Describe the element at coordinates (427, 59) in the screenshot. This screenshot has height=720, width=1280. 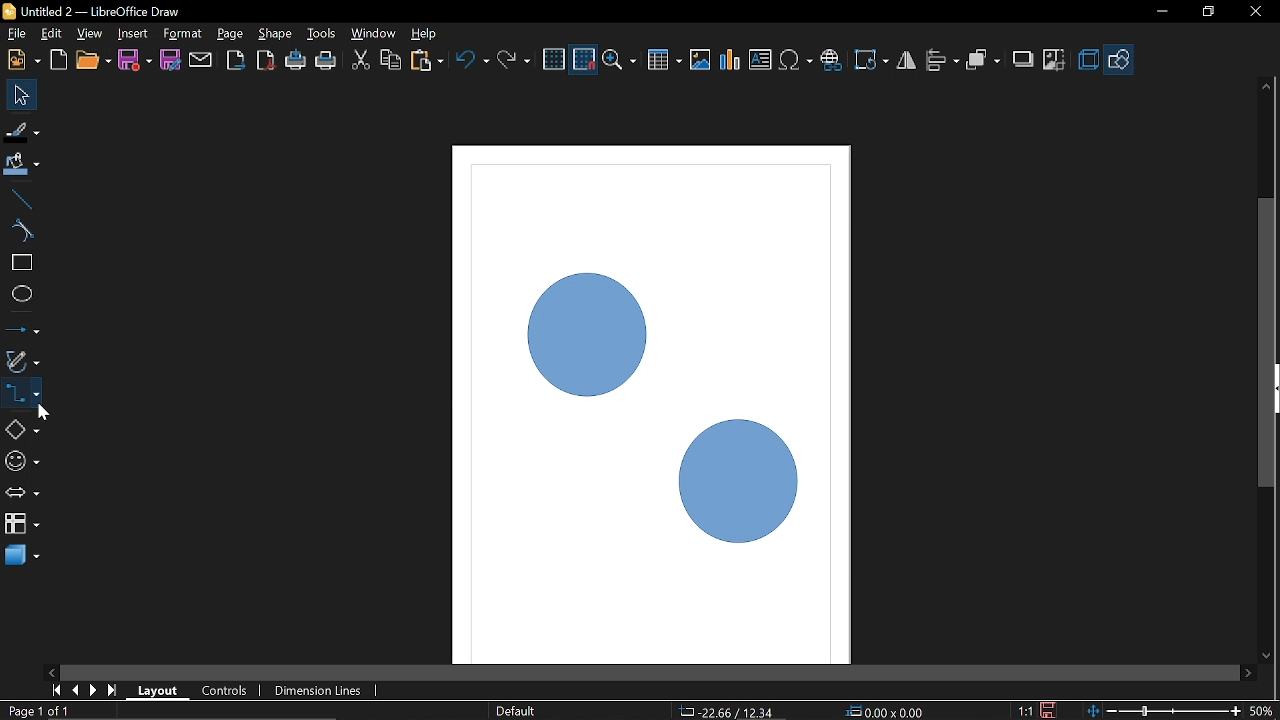
I see `Paste` at that location.